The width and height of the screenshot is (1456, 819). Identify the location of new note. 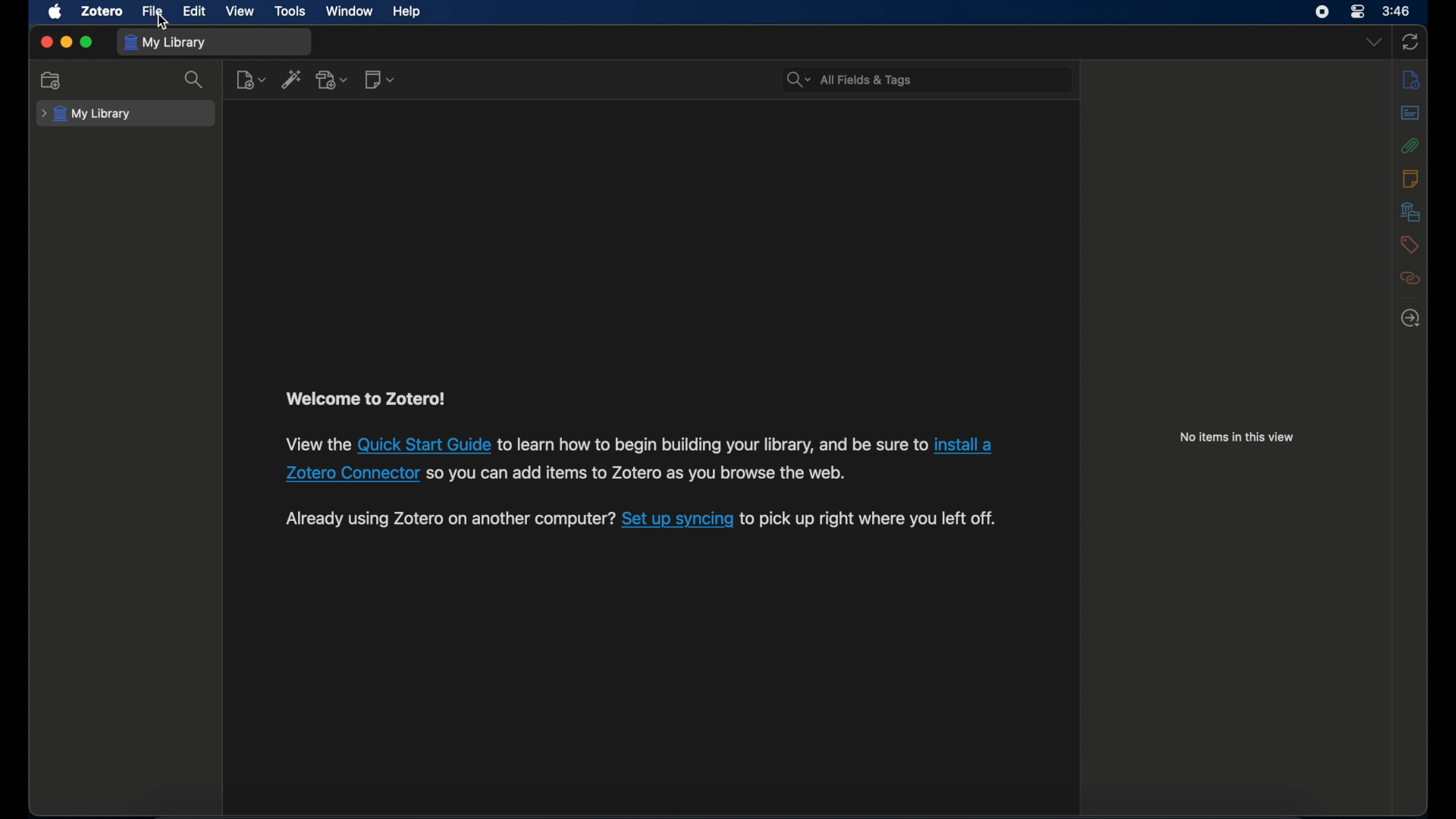
(379, 80).